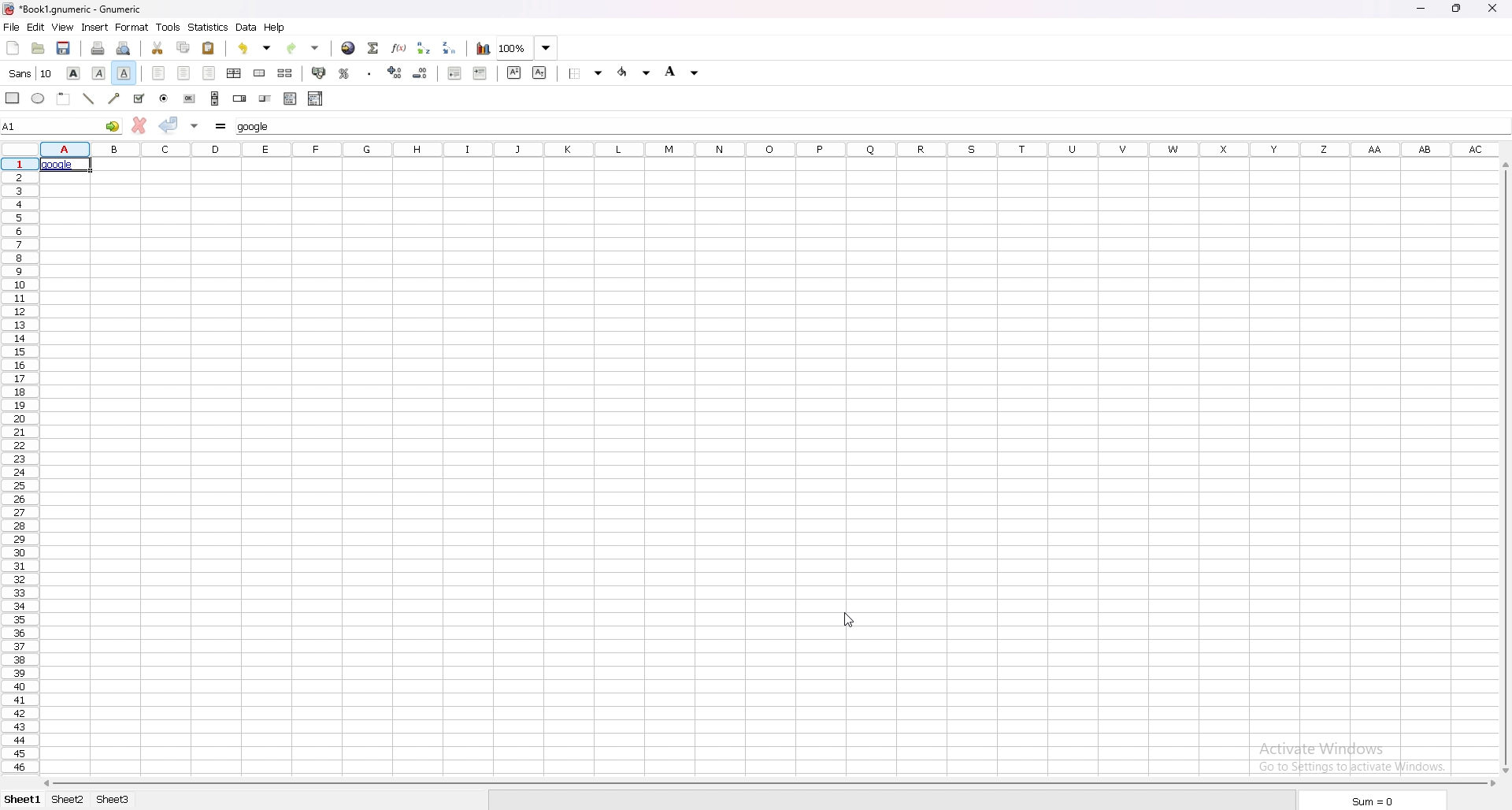 Image resolution: width=1512 pixels, height=810 pixels. Describe the element at coordinates (286, 73) in the screenshot. I see `split merged cell` at that location.